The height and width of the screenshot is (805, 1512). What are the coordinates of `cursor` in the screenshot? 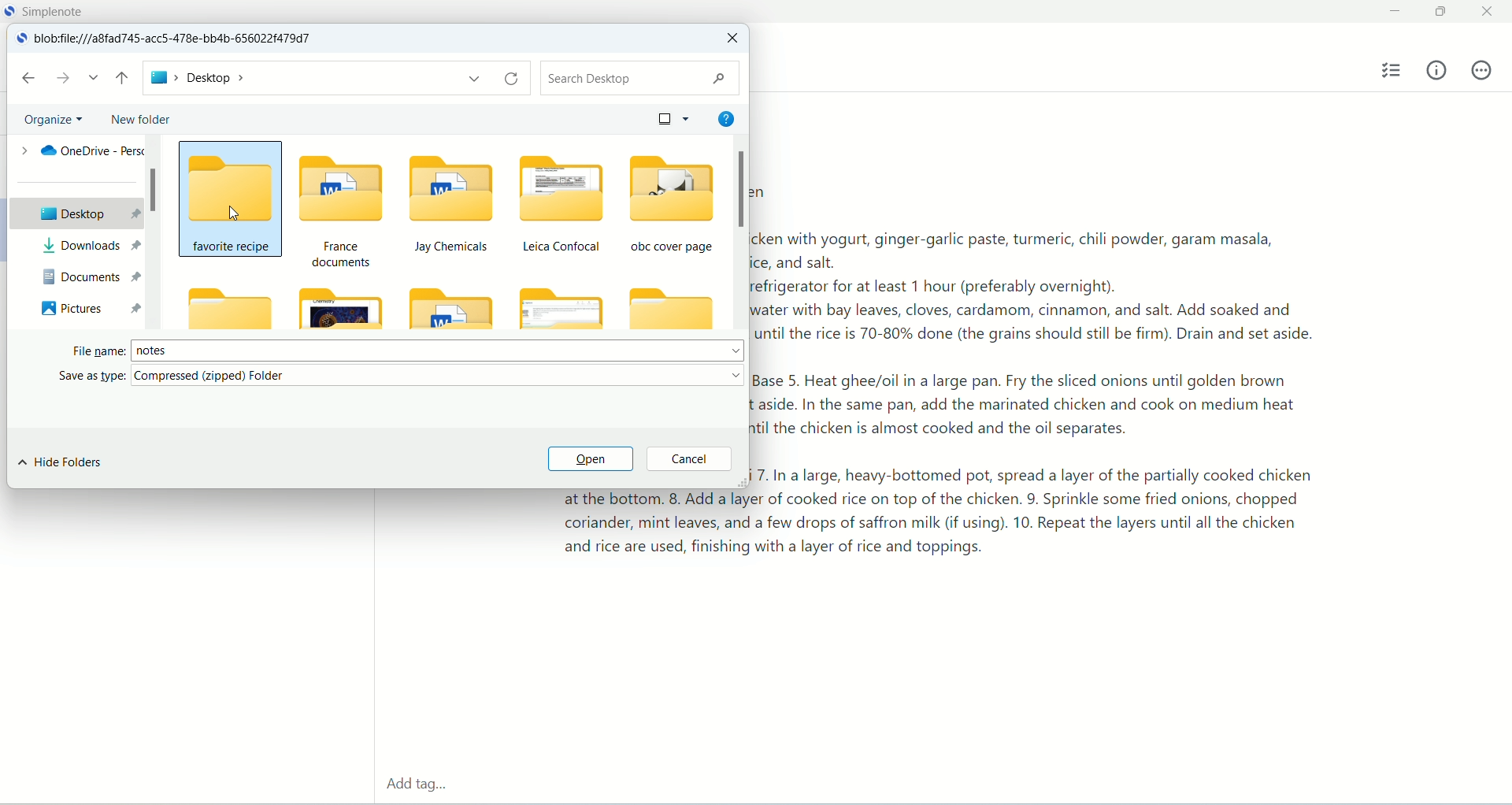 It's located at (235, 211).